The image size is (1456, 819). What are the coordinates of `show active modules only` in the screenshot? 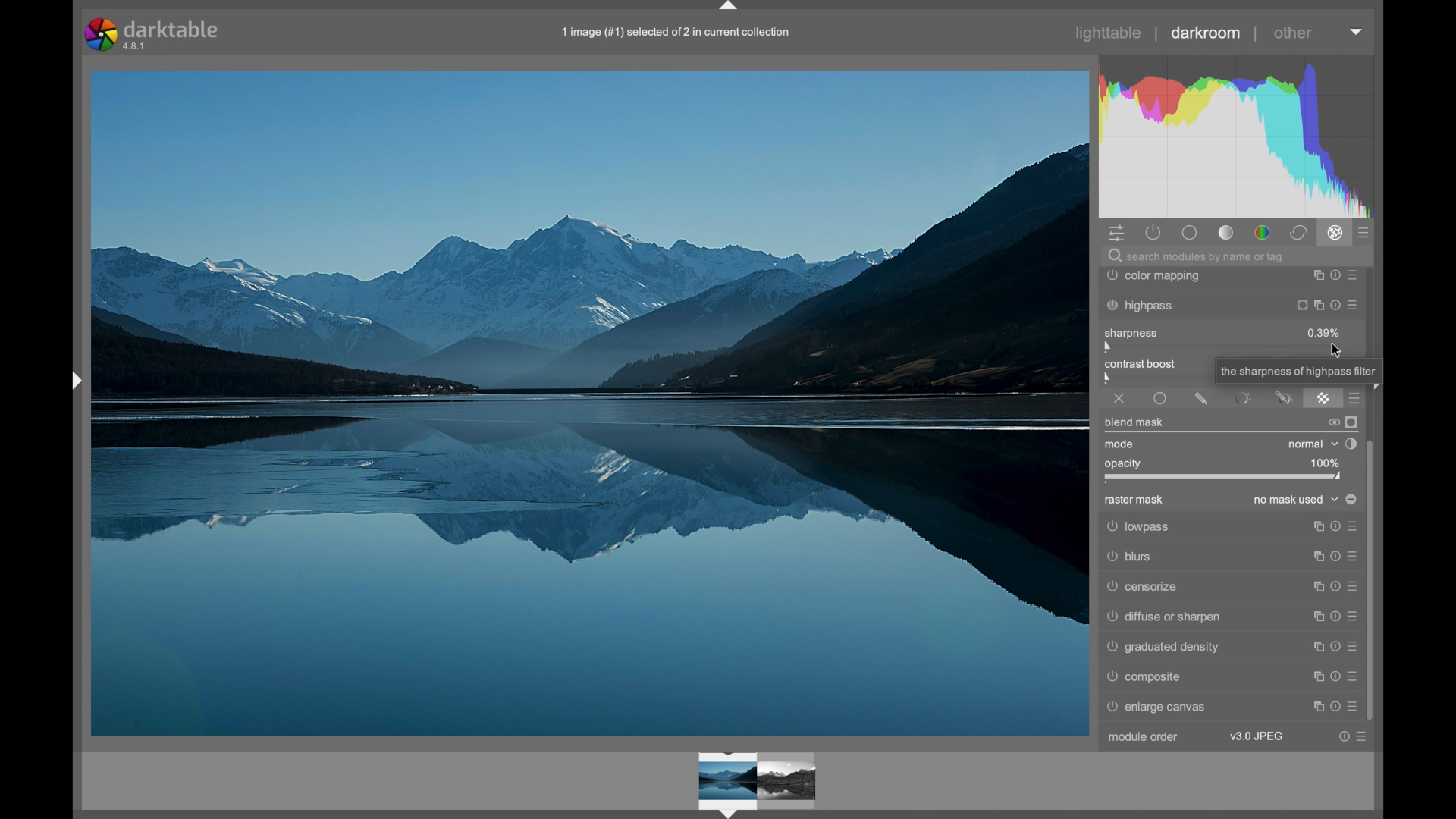 It's located at (1153, 233).